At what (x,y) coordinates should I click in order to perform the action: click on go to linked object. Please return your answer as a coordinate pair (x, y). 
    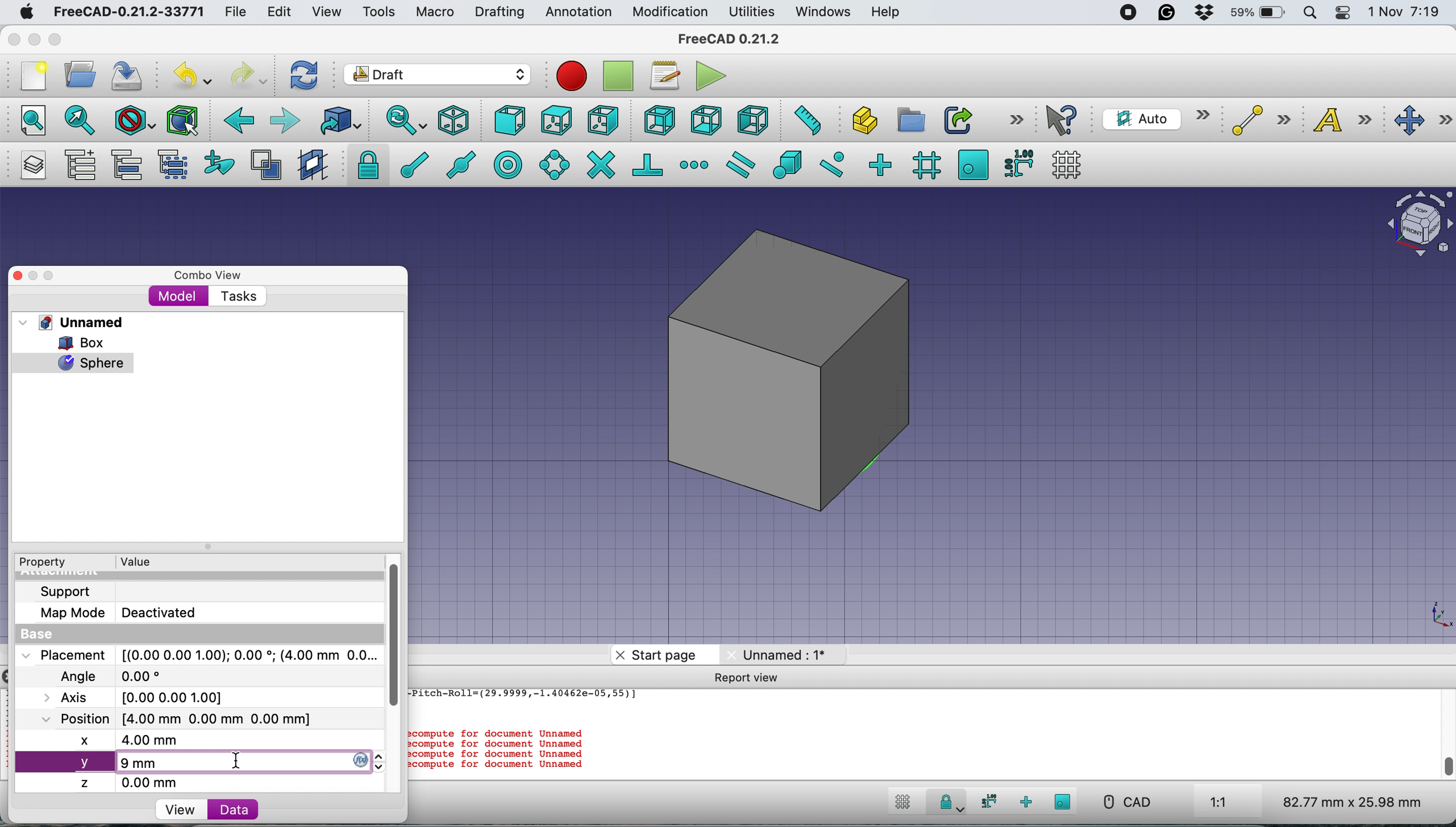
    Looking at the image, I should click on (340, 120).